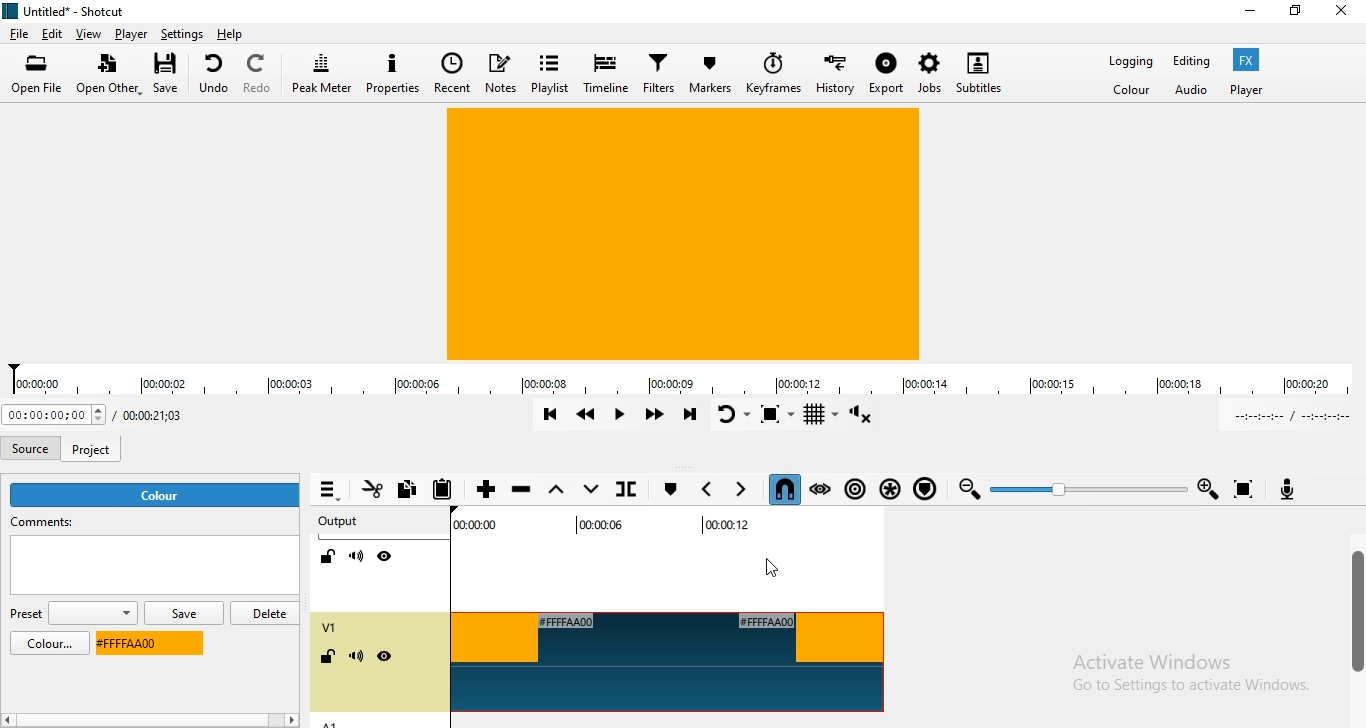 Image resolution: width=1366 pixels, height=728 pixels. Describe the element at coordinates (1355, 615) in the screenshot. I see `scroll bar` at that location.